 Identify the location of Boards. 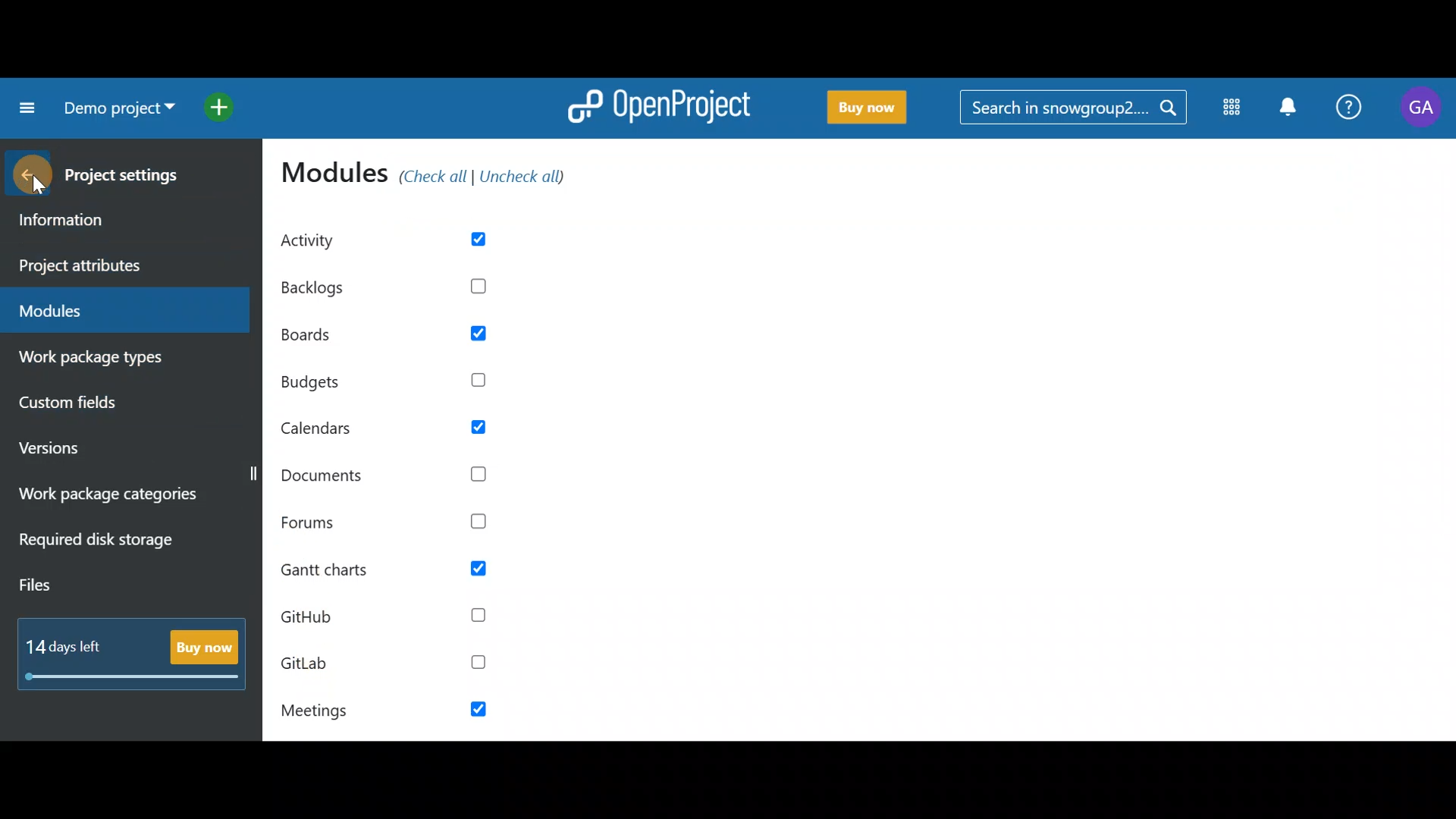
(396, 337).